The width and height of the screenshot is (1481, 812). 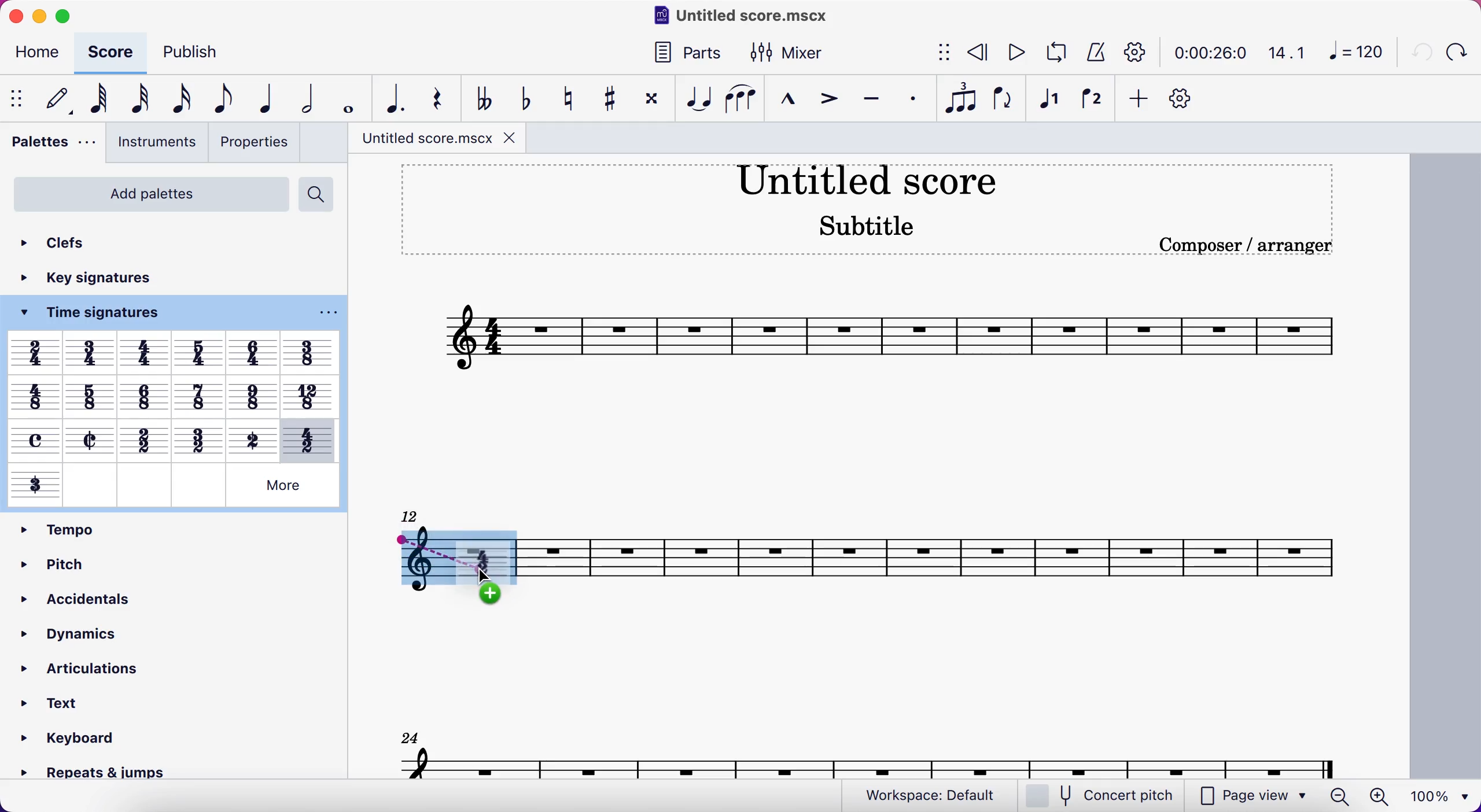 What do you see at coordinates (826, 98) in the screenshot?
I see `accent` at bounding box center [826, 98].